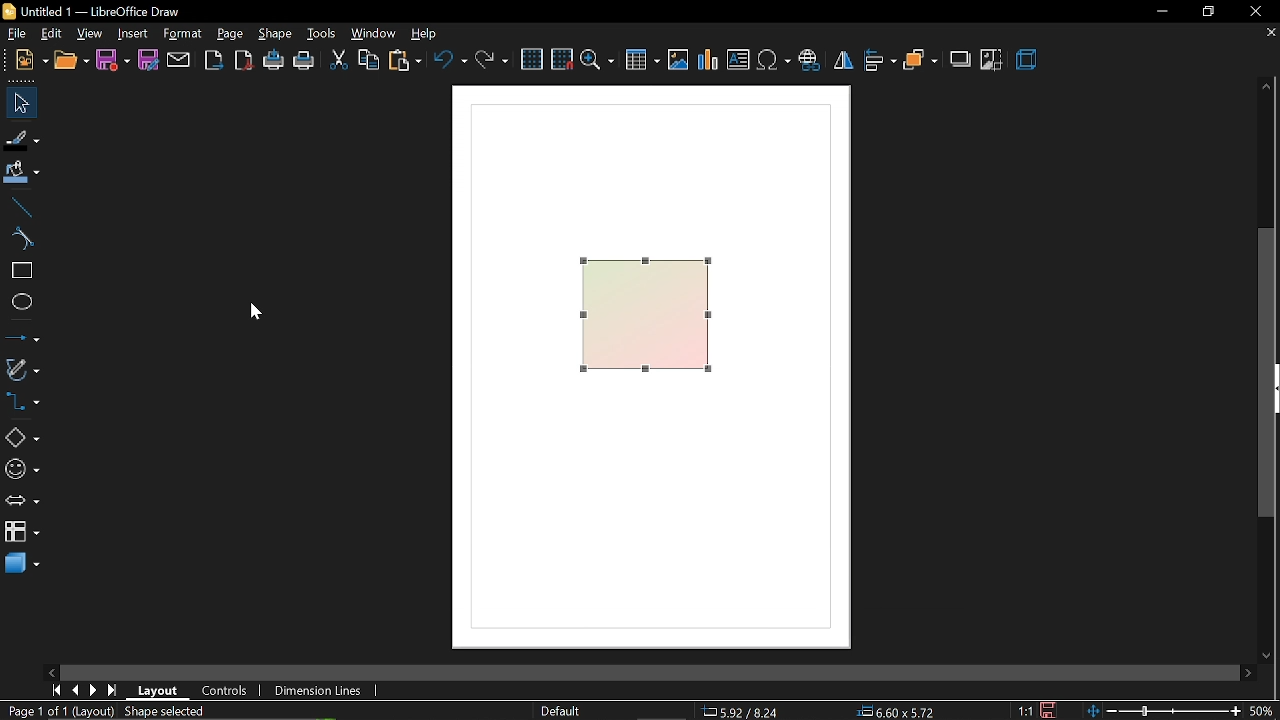  Describe the element at coordinates (678, 60) in the screenshot. I see `Insert image` at that location.